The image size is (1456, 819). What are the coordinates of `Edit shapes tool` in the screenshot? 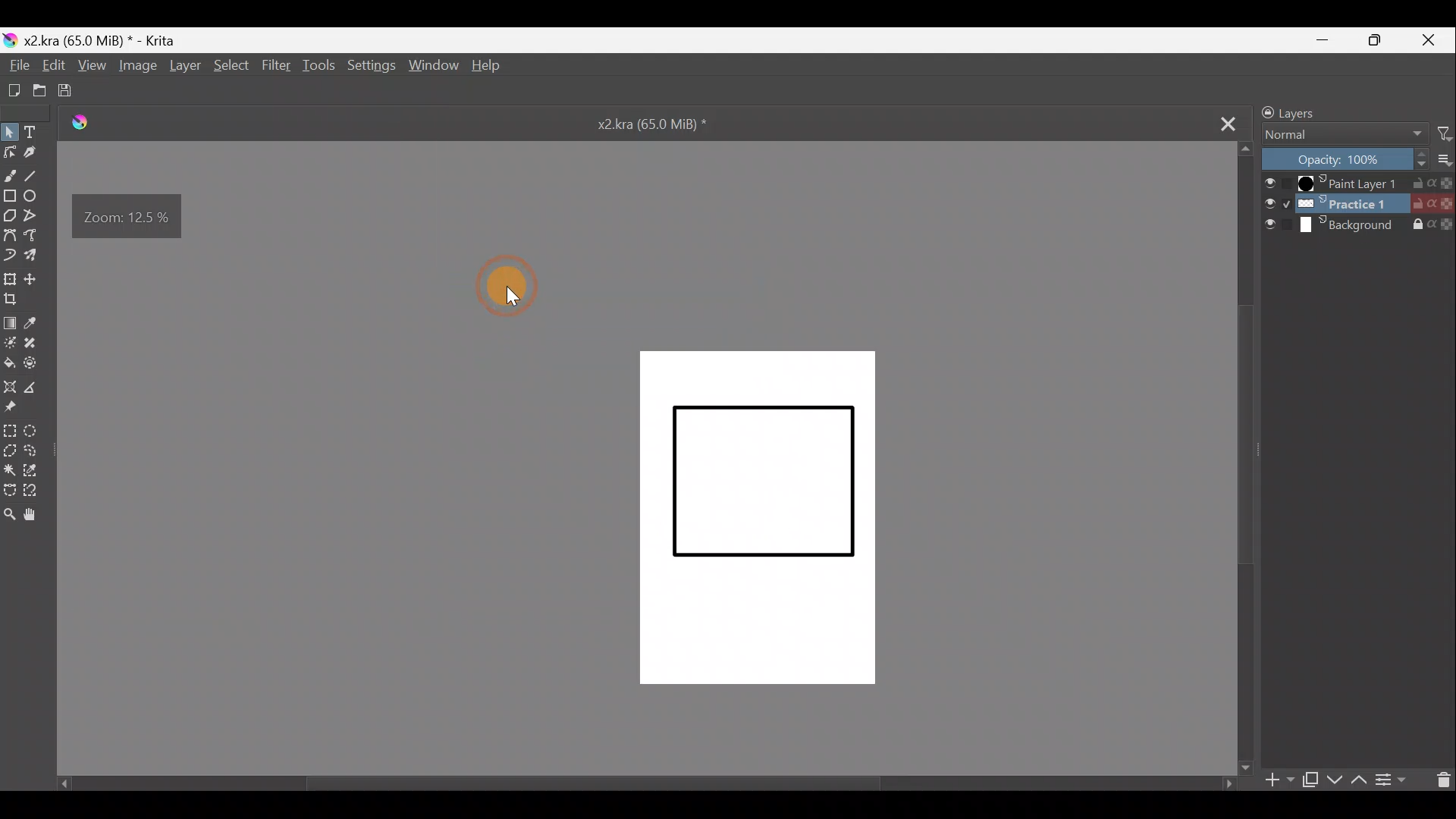 It's located at (10, 154).